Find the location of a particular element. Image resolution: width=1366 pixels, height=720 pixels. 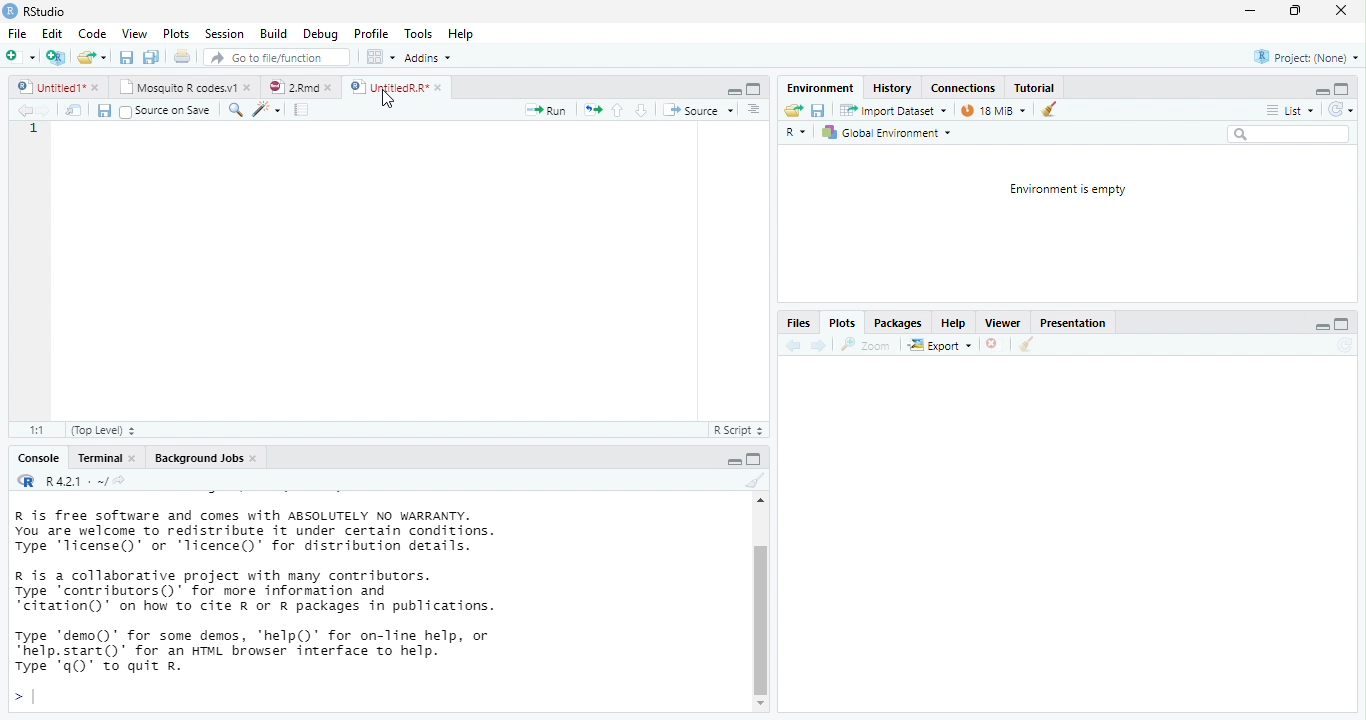

maximize is located at coordinates (754, 89).